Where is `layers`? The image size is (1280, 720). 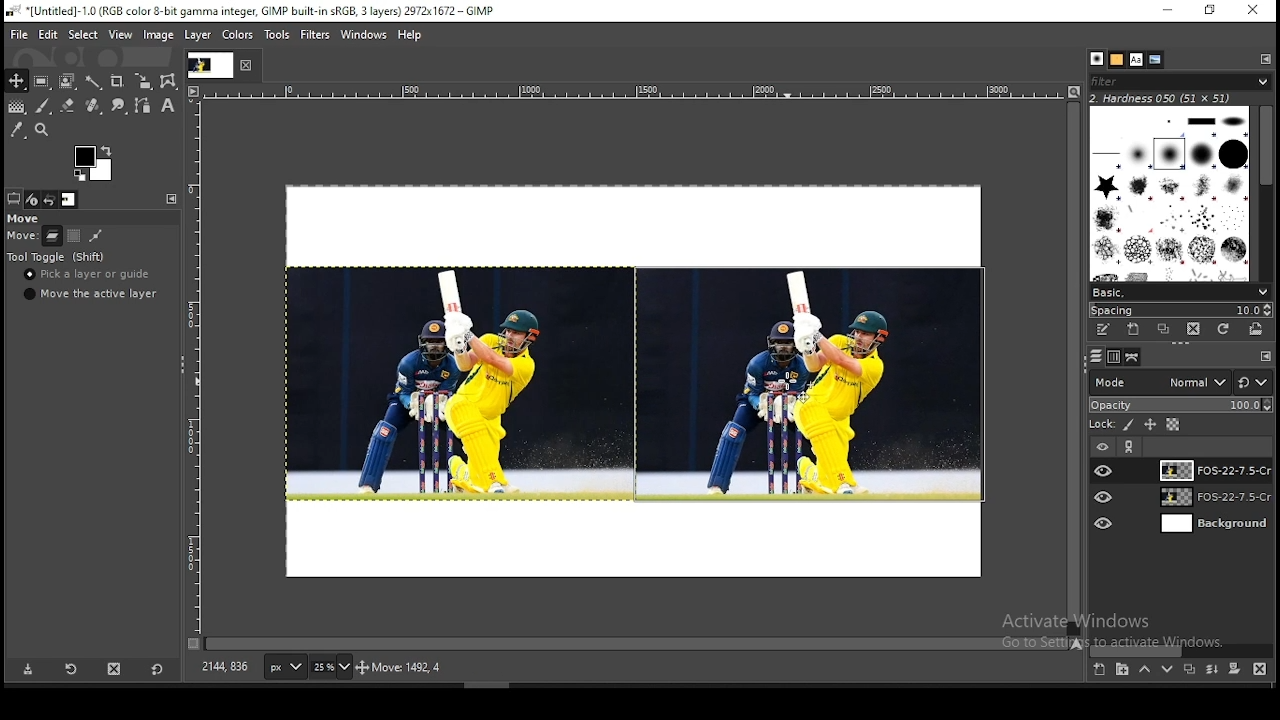 layers is located at coordinates (1094, 357).